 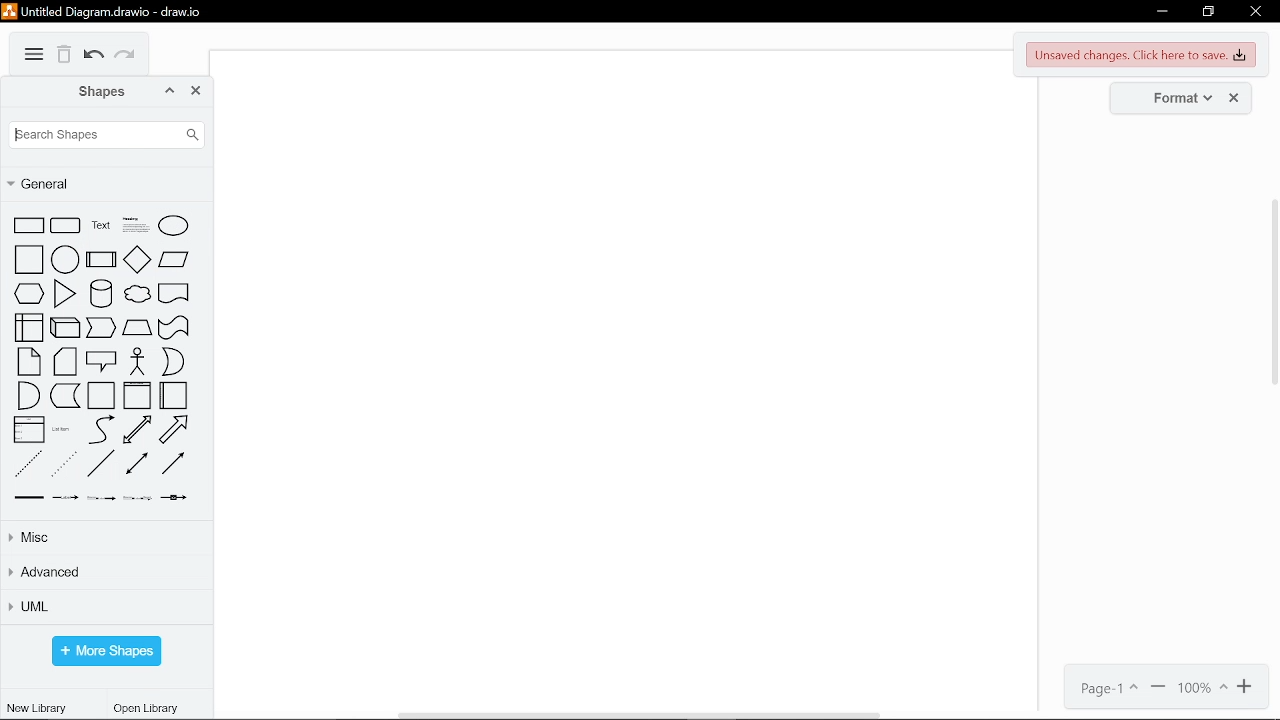 What do you see at coordinates (174, 328) in the screenshot?
I see `tape` at bounding box center [174, 328].